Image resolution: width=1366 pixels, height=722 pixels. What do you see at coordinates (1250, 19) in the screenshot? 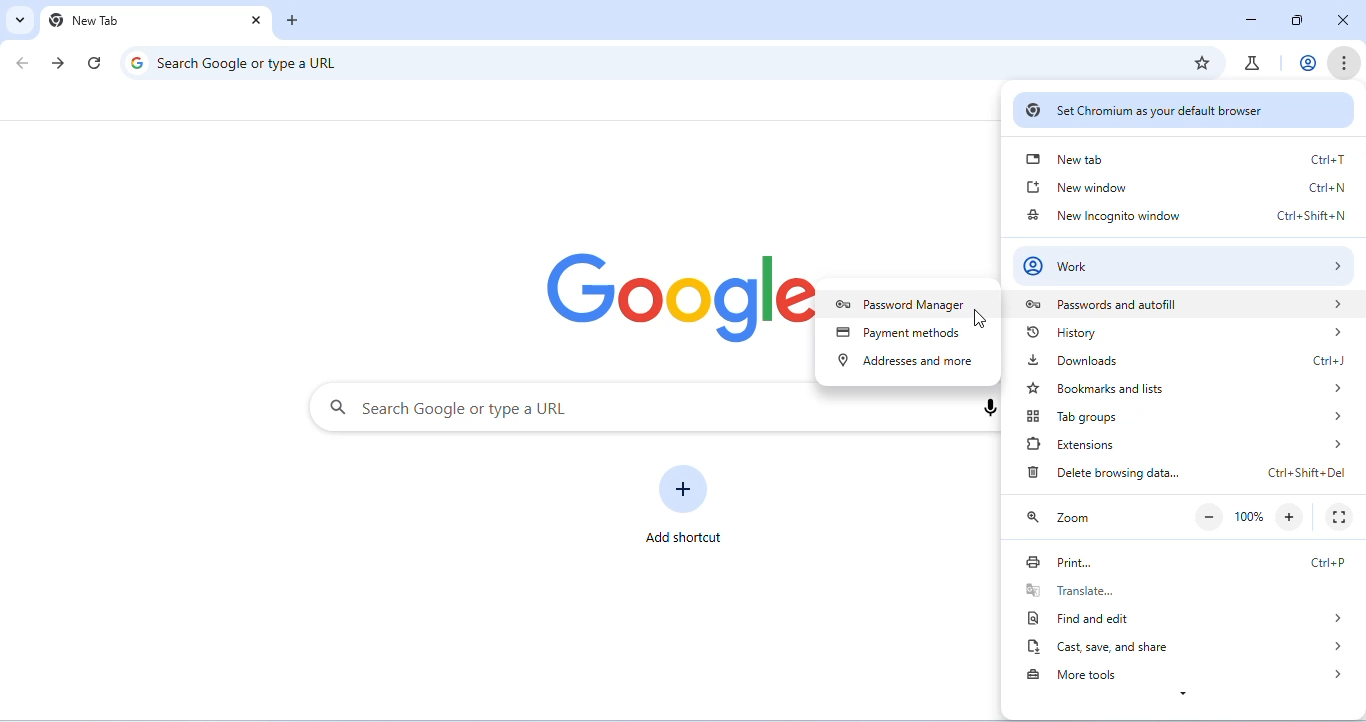
I see `minimize` at bounding box center [1250, 19].